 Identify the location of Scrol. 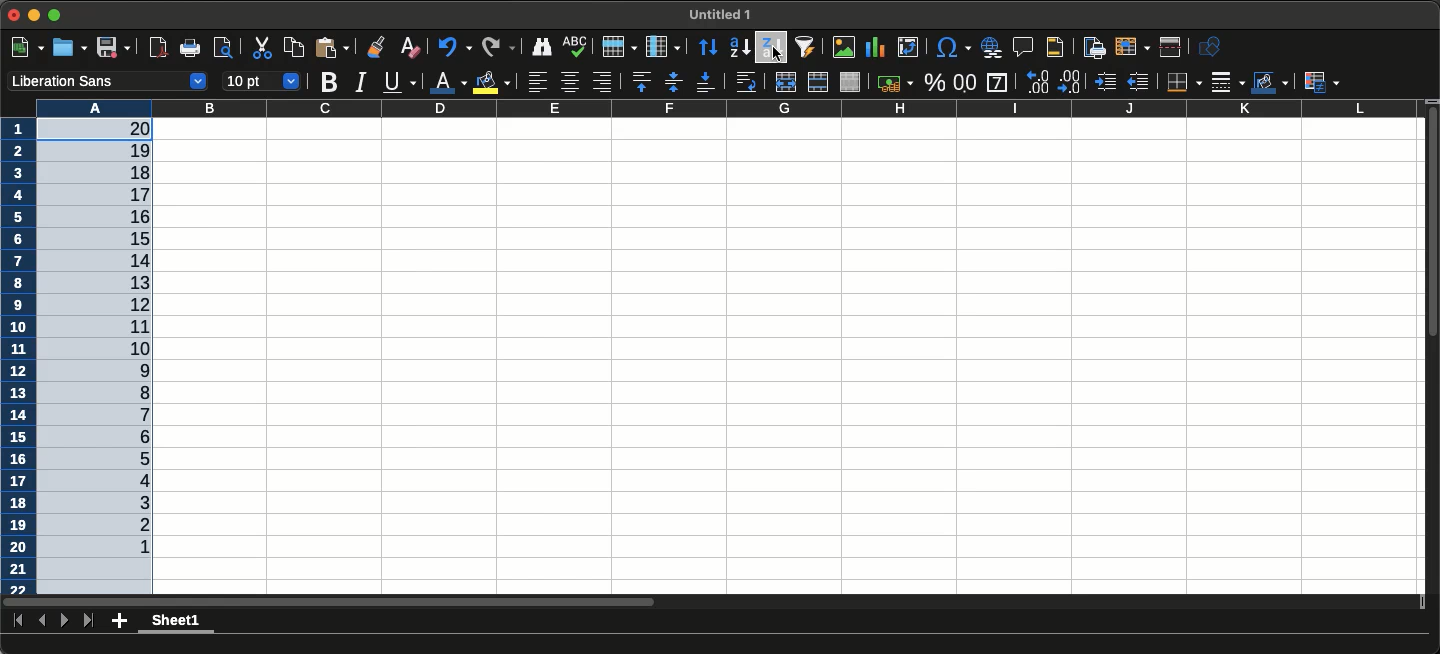
(330, 604).